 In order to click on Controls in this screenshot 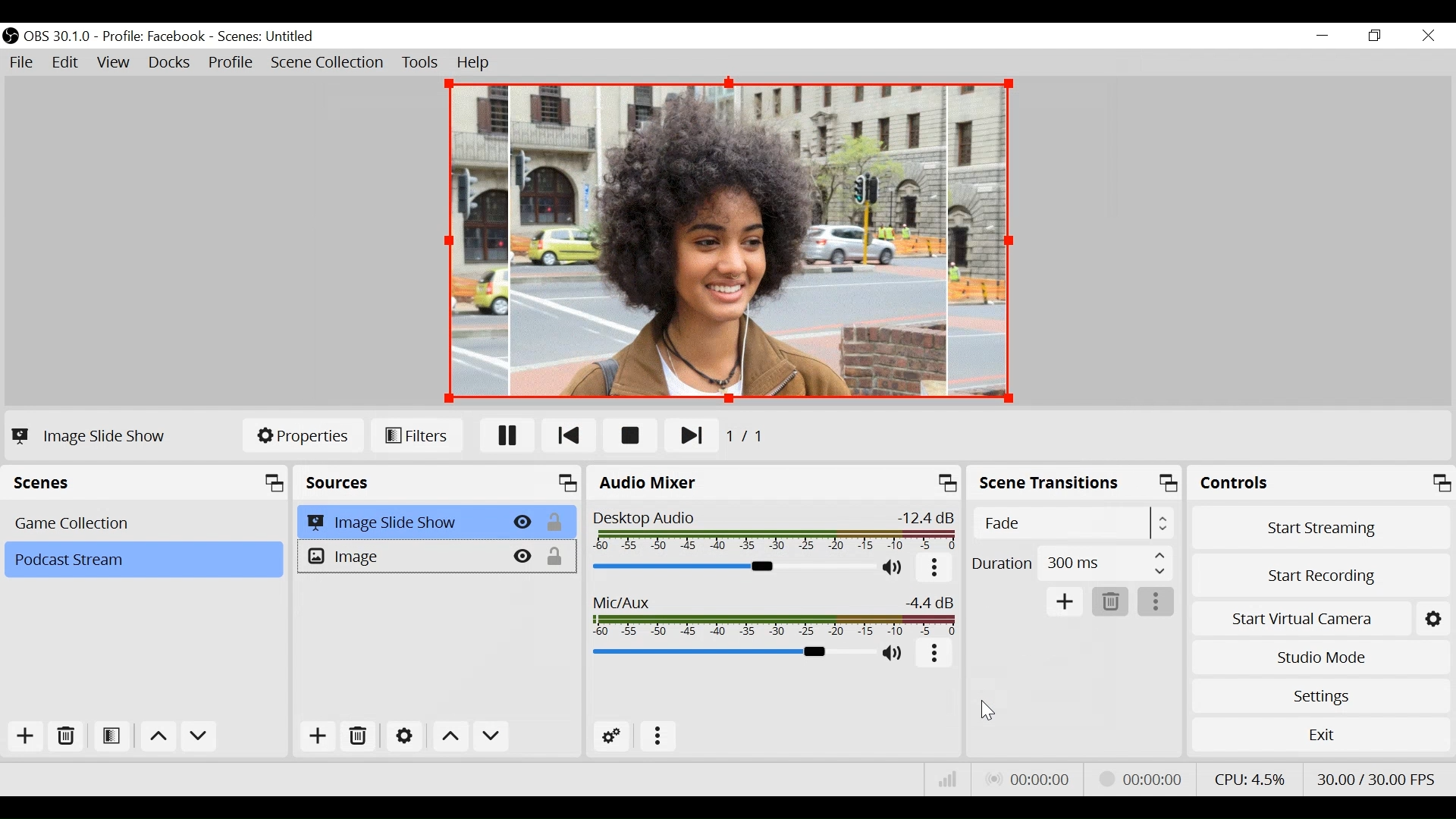, I will do `click(1321, 485)`.